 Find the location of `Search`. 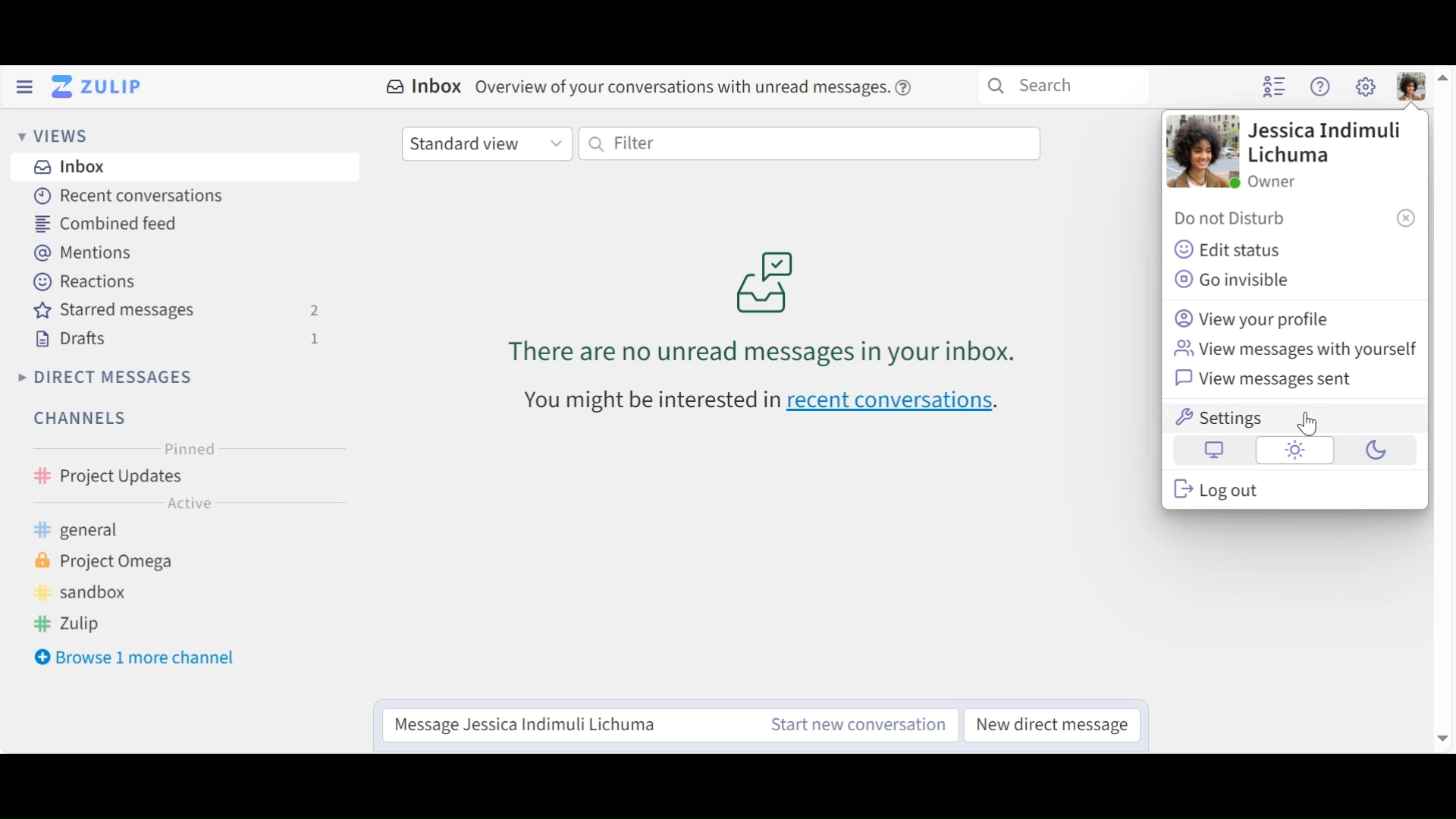

Search is located at coordinates (1065, 87).